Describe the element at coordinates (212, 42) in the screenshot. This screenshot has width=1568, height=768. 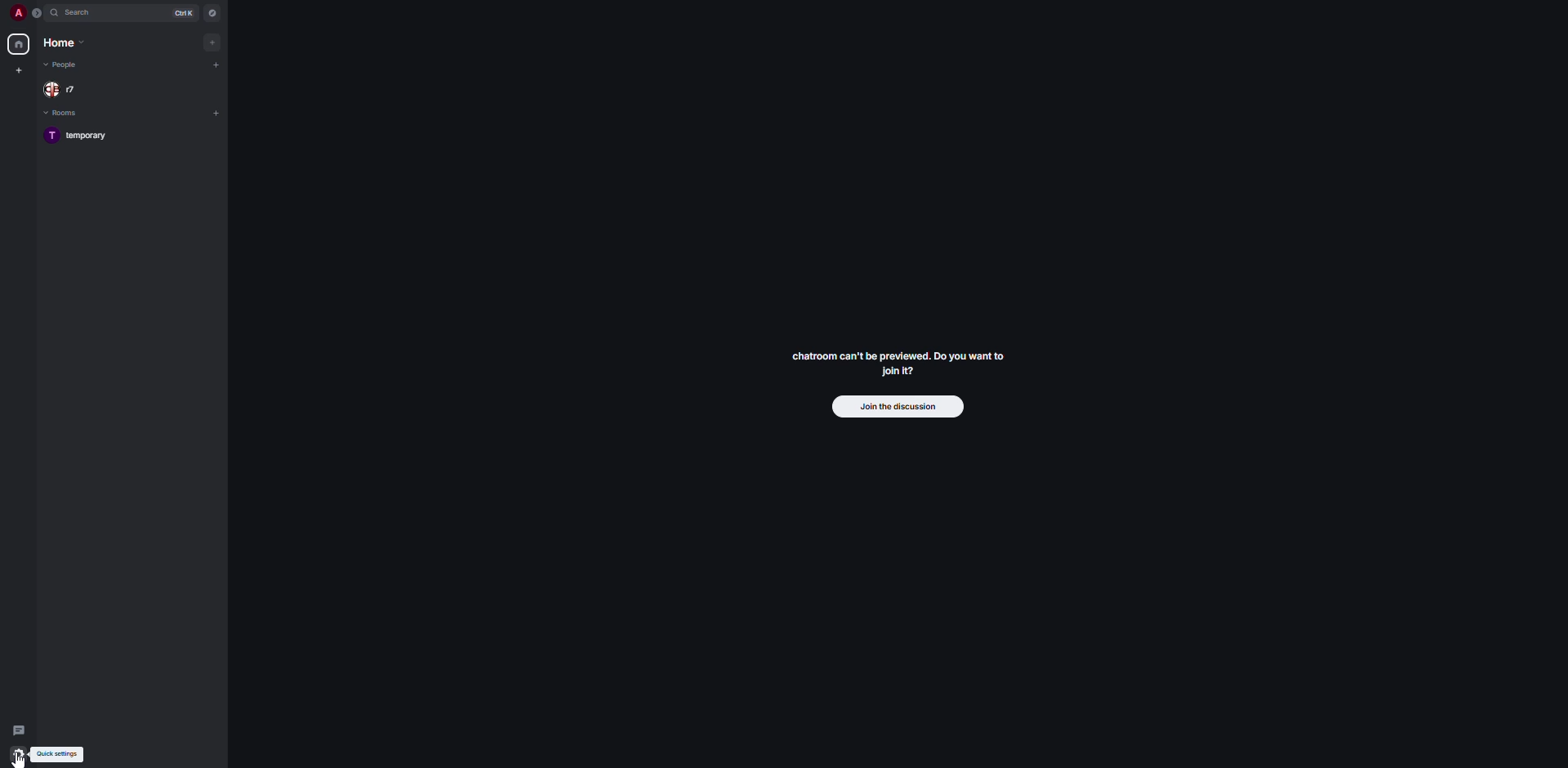
I see `add` at that location.